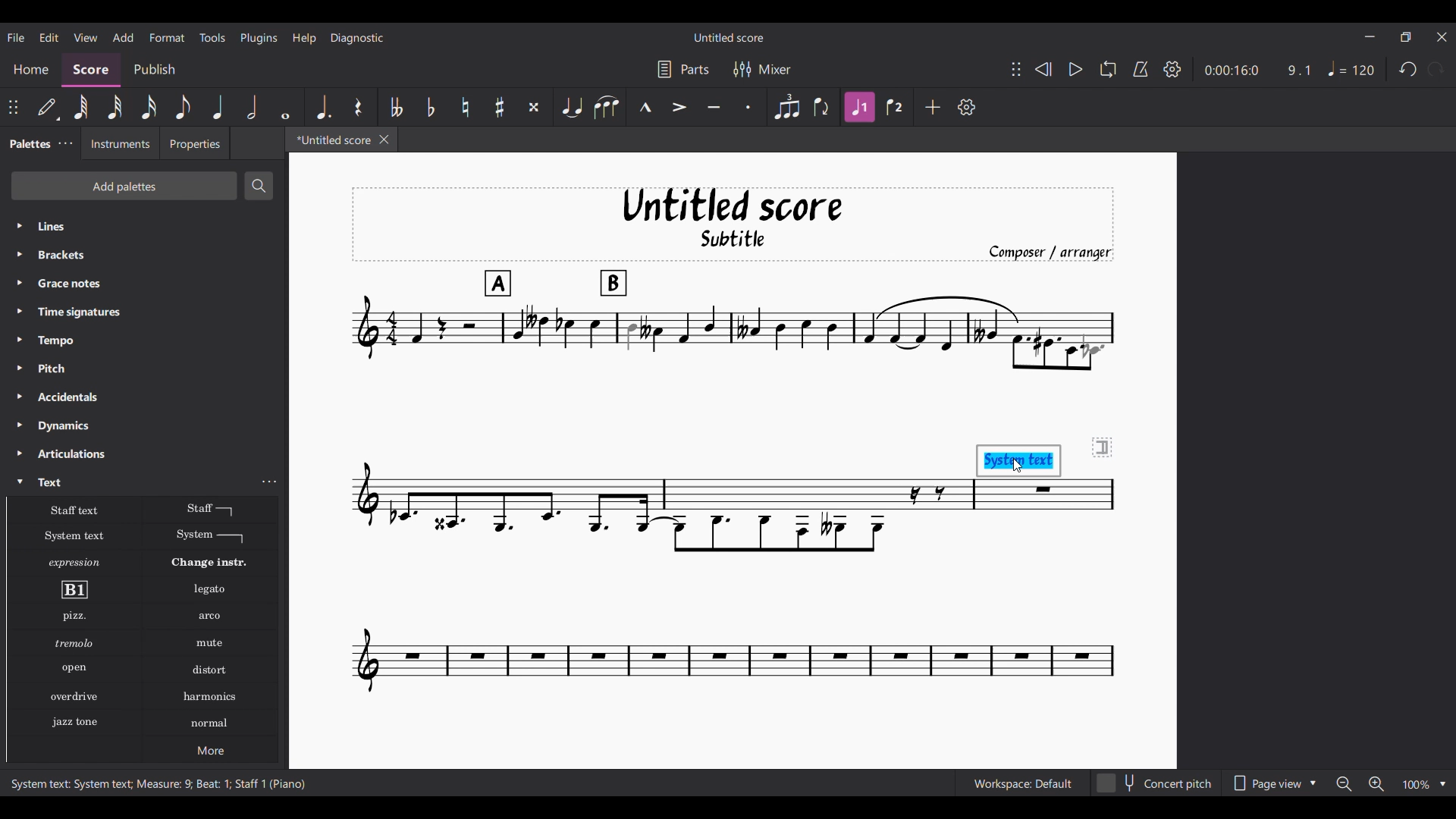 The width and height of the screenshot is (1456, 819). Describe the element at coordinates (27, 145) in the screenshot. I see `Palettes` at that location.